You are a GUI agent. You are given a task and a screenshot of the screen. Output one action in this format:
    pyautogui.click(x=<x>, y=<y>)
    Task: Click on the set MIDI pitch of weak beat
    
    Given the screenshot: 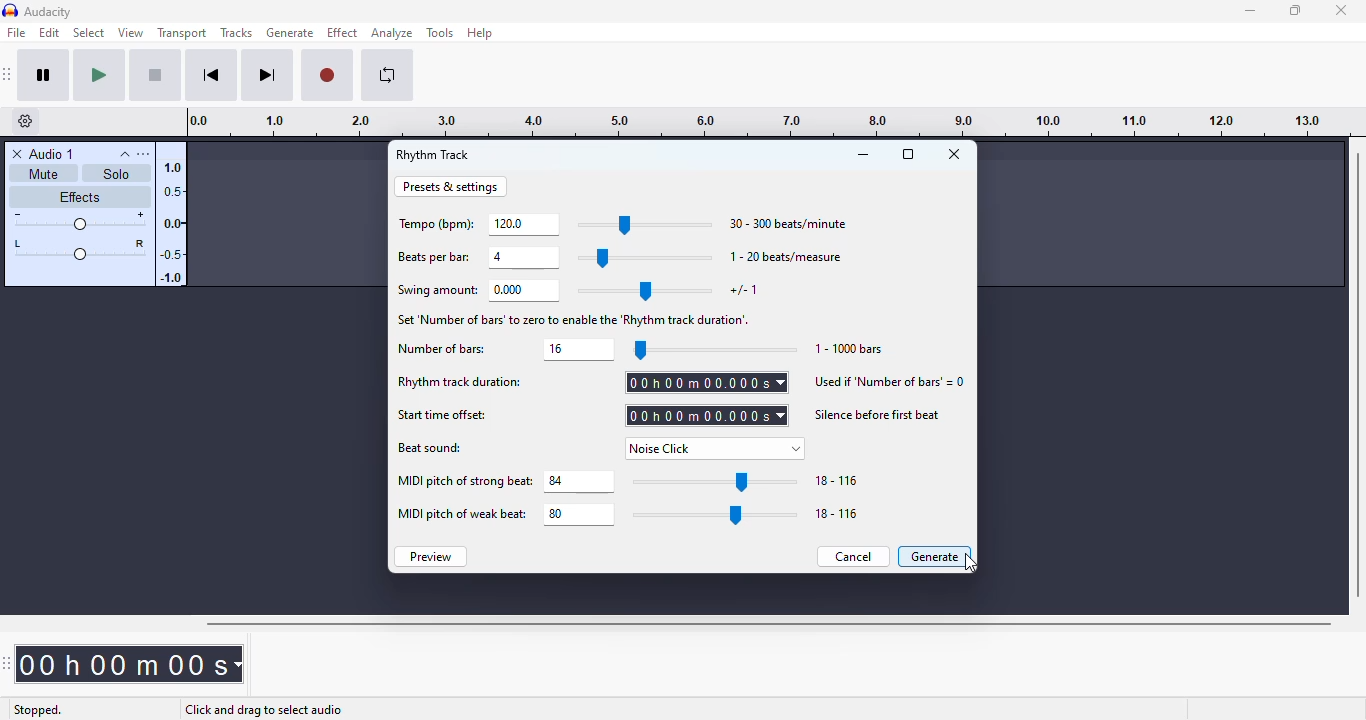 What is the action you would take?
    pyautogui.click(x=580, y=514)
    